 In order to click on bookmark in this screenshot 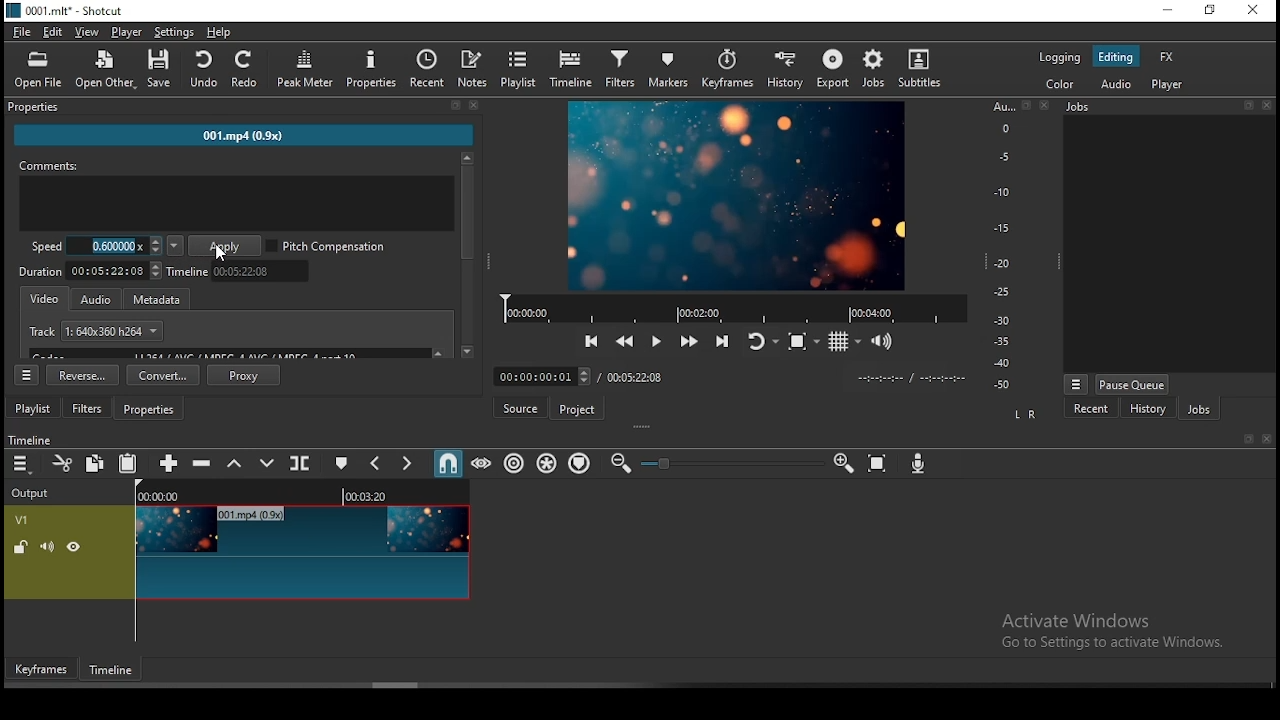, I will do `click(1243, 439)`.